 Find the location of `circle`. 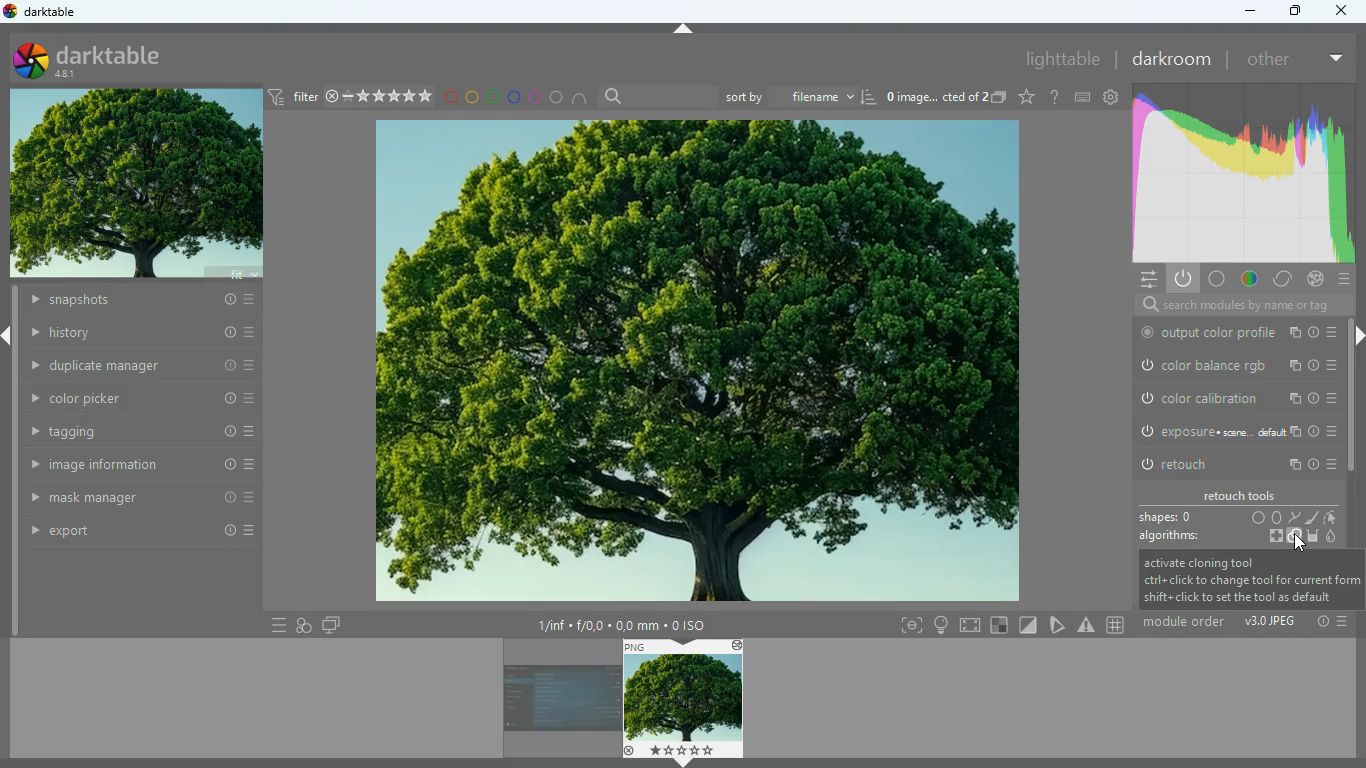

circle is located at coordinates (555, 96).